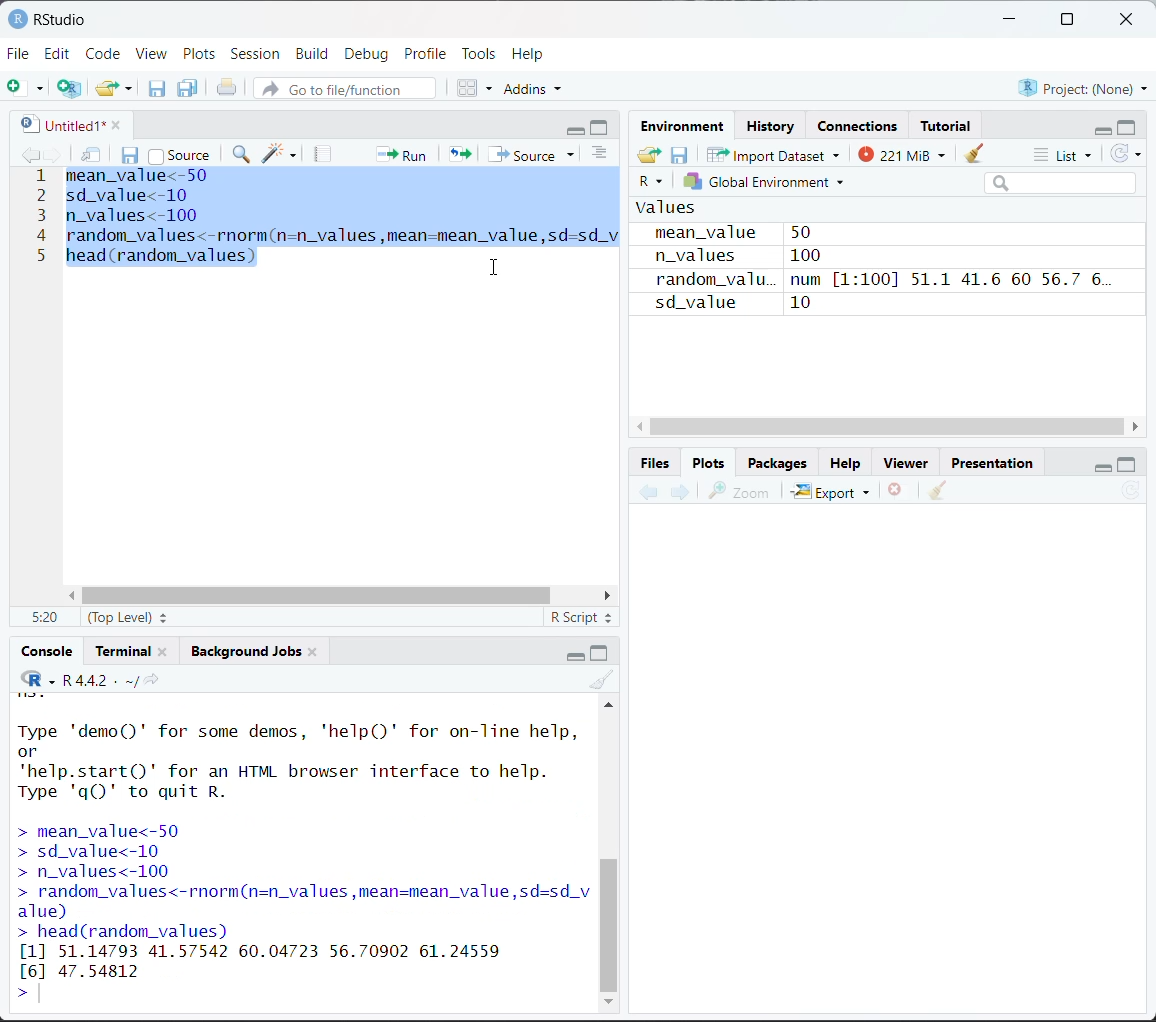  What do you see at coordinates (536, 88) in the screenshot?
I see `addins` at bounding box center [536, 88].